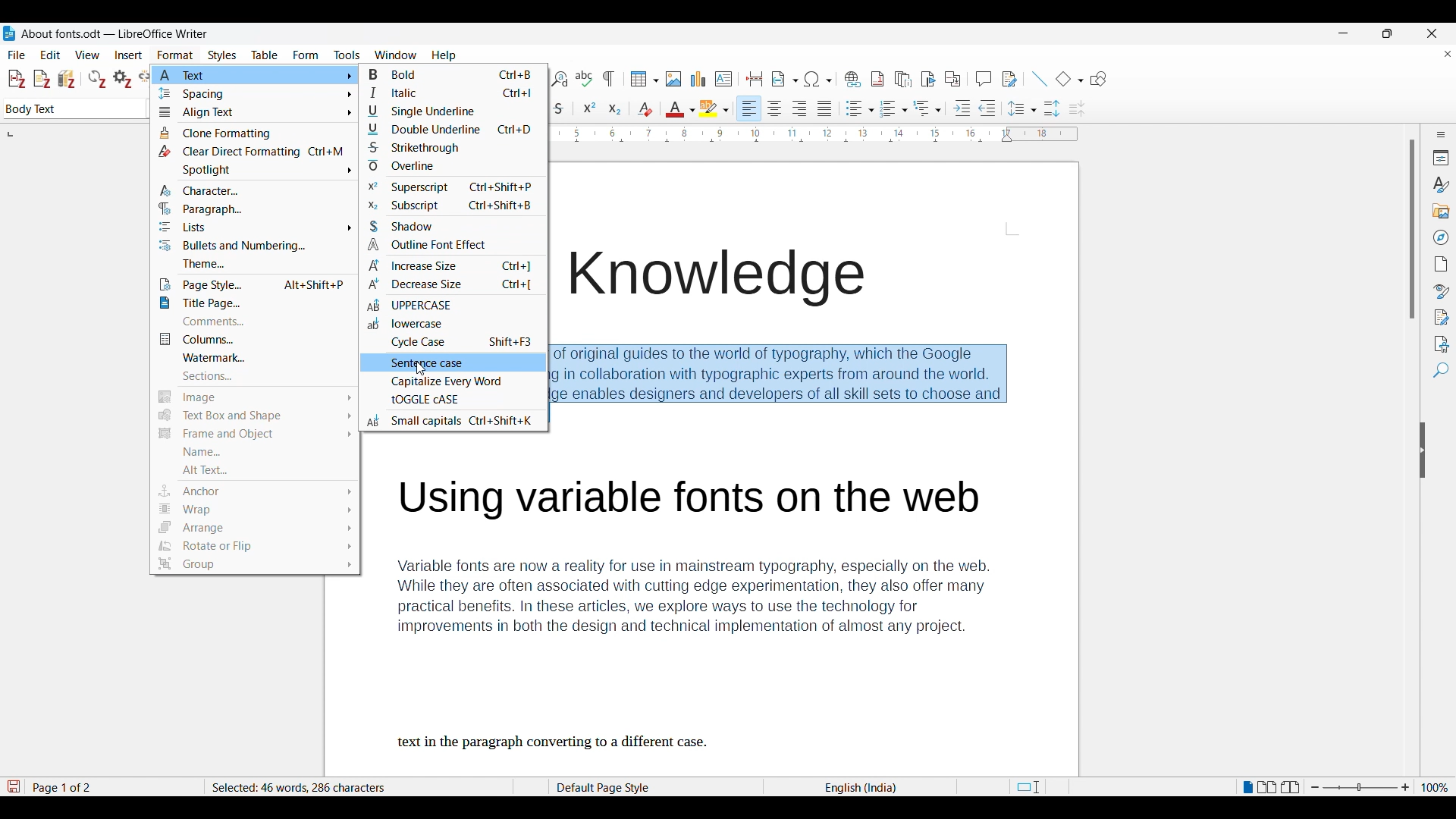 The height and width of the screenshot is (819, 1456). I want to click on Navigator, so click(1442, 237).